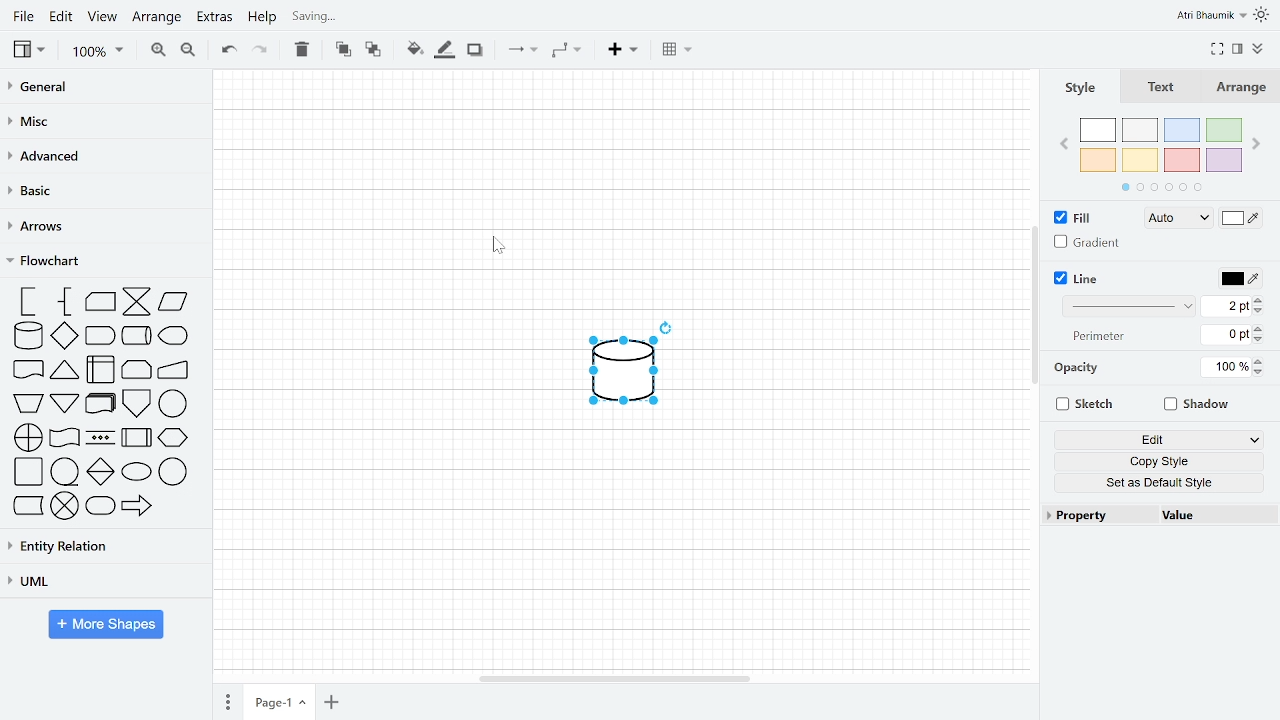 The width and height of the screenshot is (1280, 720). What do you see at coordinates (266, 52) in the screenshot?
I see `Redo` at bounding box center [266, 52].